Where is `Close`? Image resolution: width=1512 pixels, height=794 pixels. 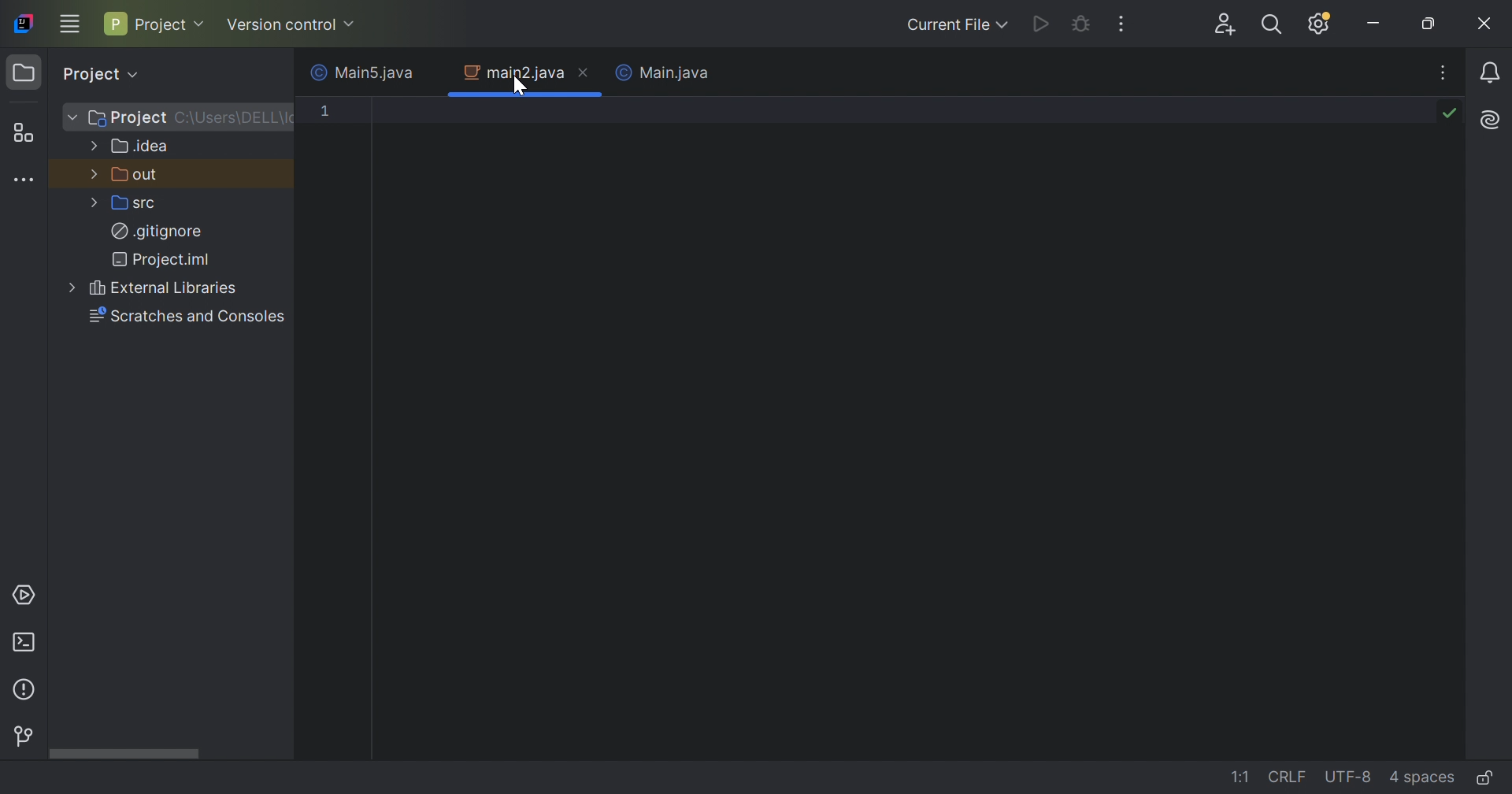 Close is located at coordinates (1486, 24).